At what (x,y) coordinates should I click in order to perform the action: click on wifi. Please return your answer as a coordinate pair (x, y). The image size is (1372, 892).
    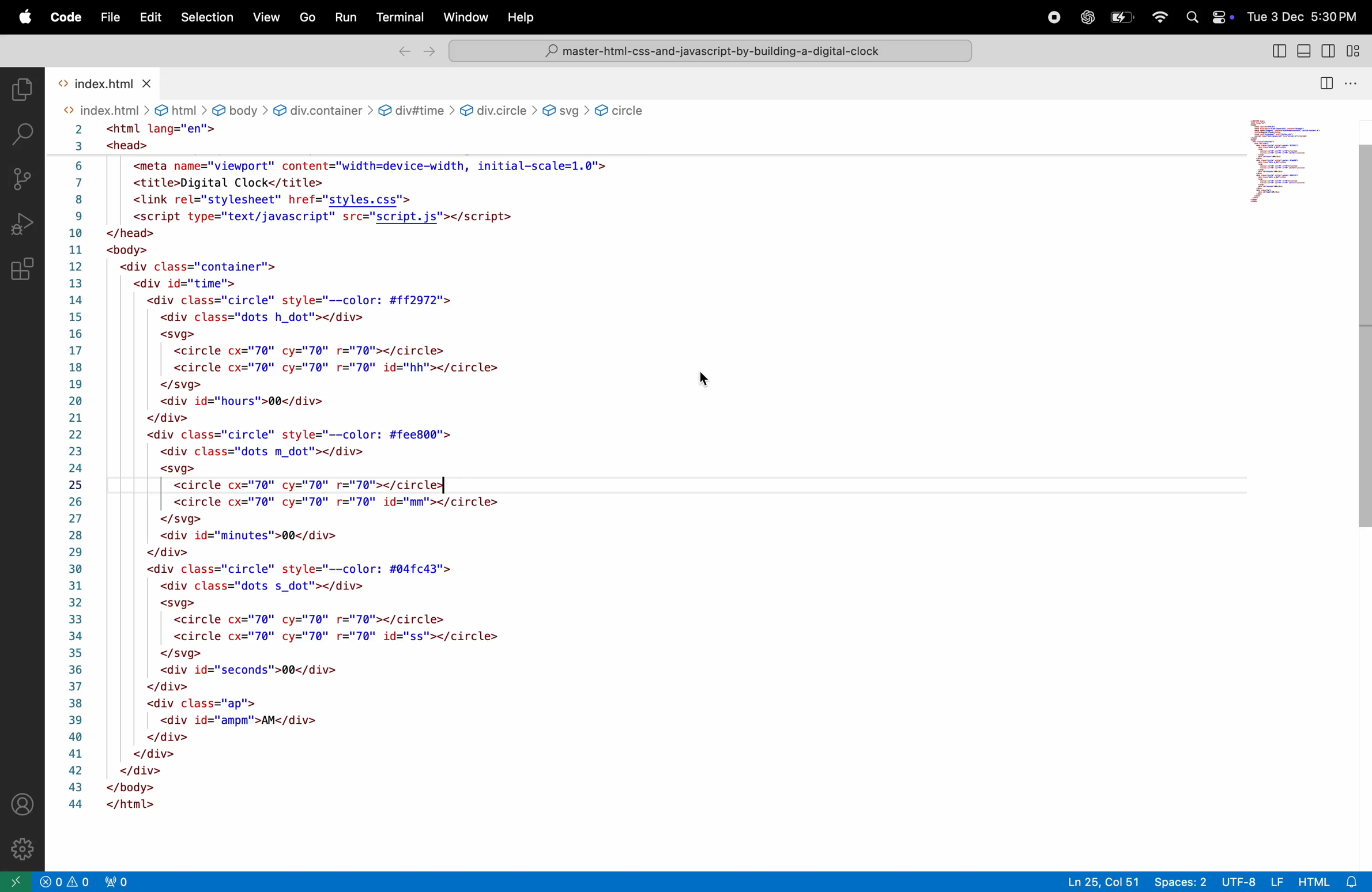
    Looking at the image, I should click on (1158, 19).